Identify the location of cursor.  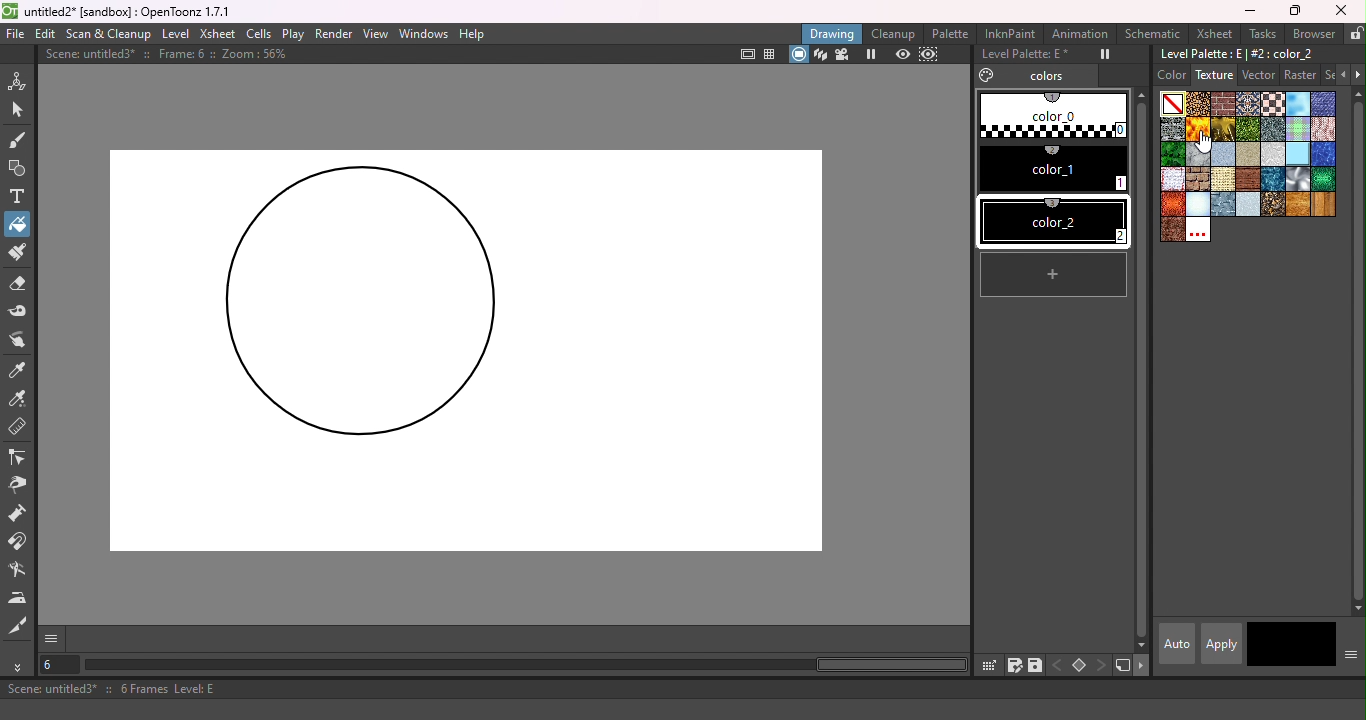
(1203, 143).